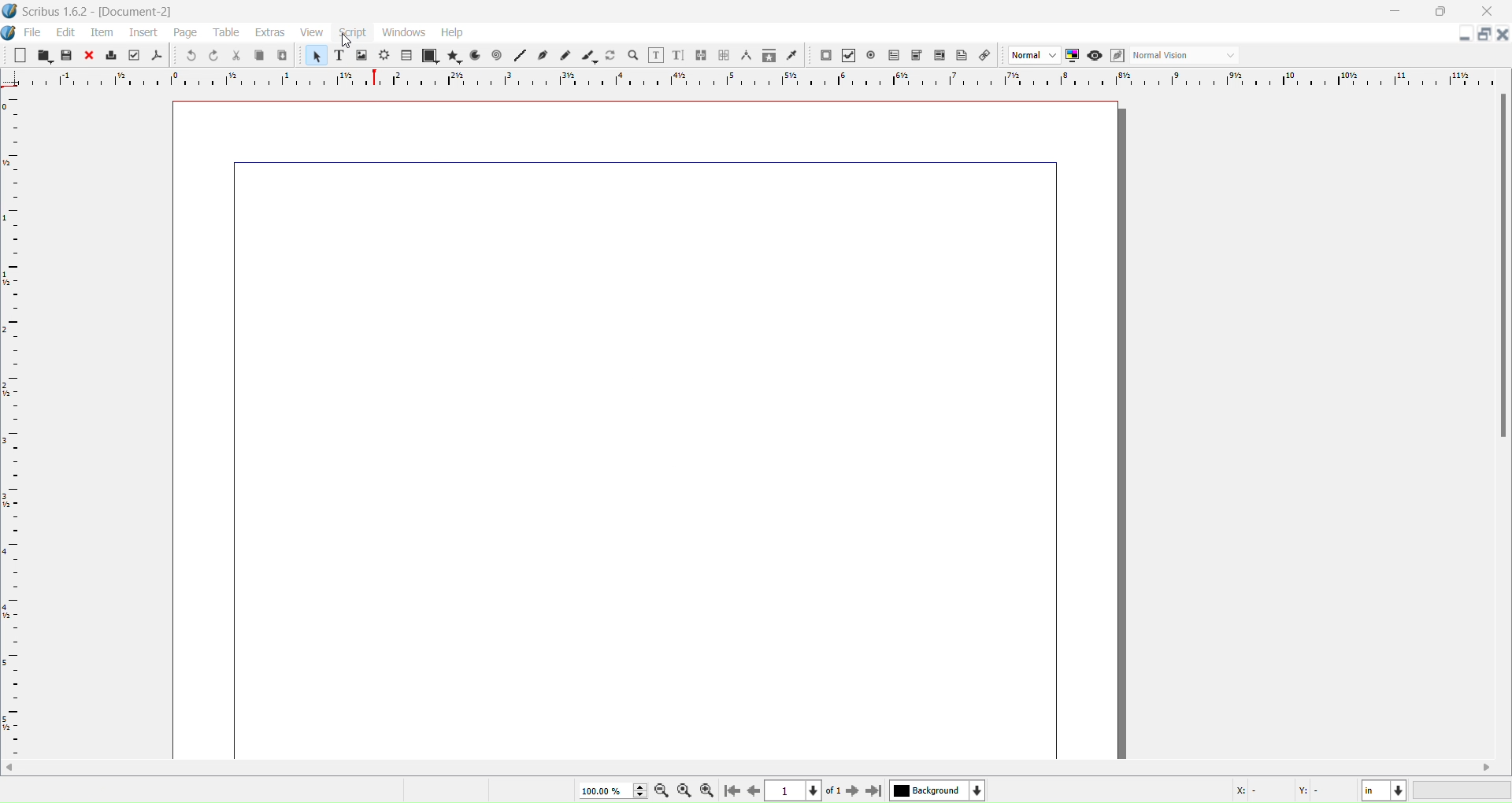 This screenshot has height=803, width=1512. I want to click on Script, so click(352, 31).